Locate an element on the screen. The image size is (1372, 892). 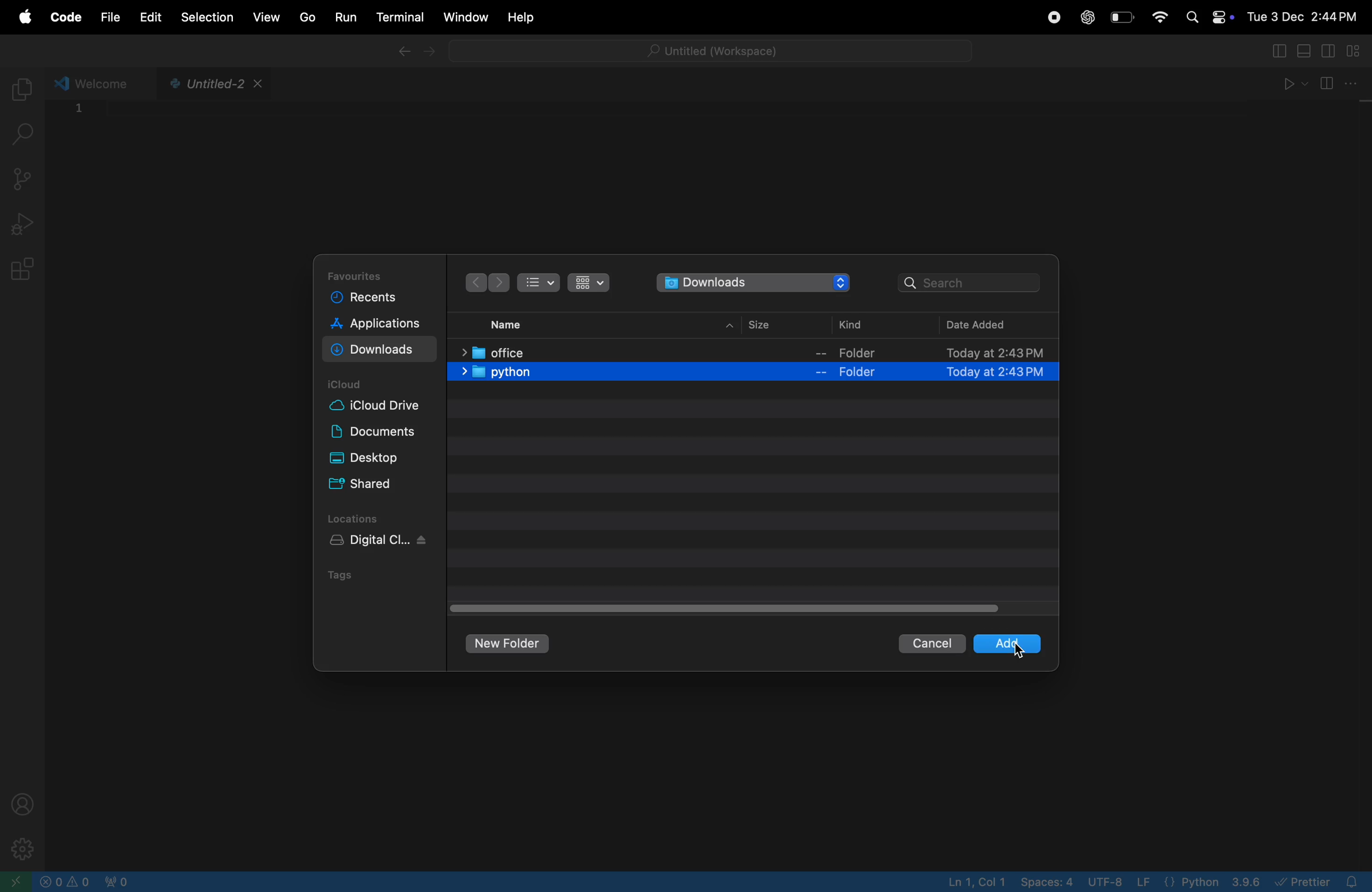
toggle panel is located at coordinates (1306, 50).